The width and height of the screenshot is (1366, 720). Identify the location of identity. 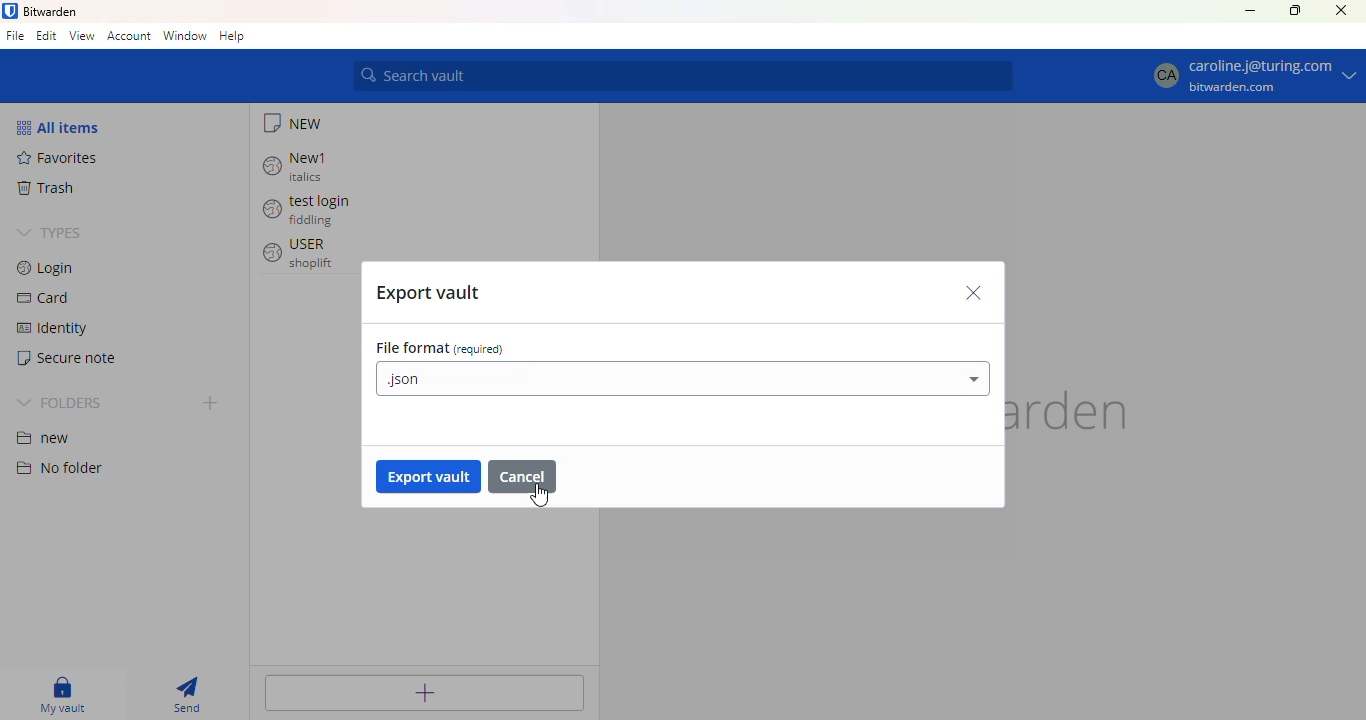
(51, 328).